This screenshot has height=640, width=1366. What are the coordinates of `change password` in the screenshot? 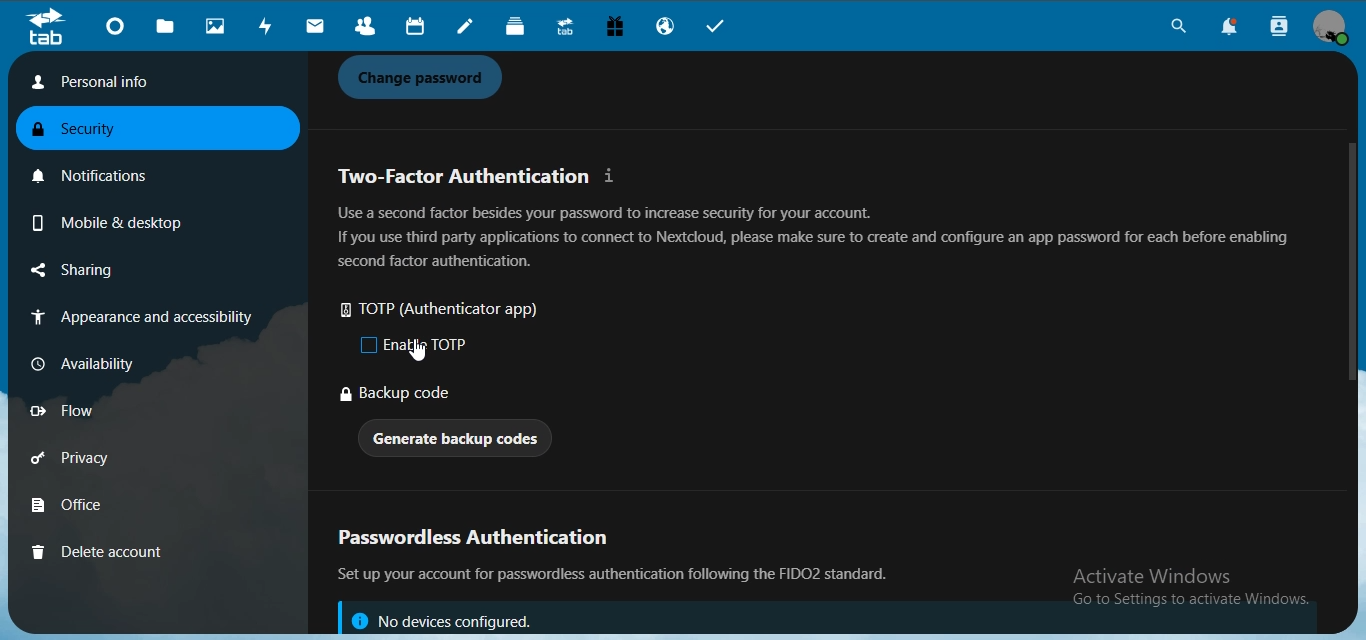 It's located at (426, 78).